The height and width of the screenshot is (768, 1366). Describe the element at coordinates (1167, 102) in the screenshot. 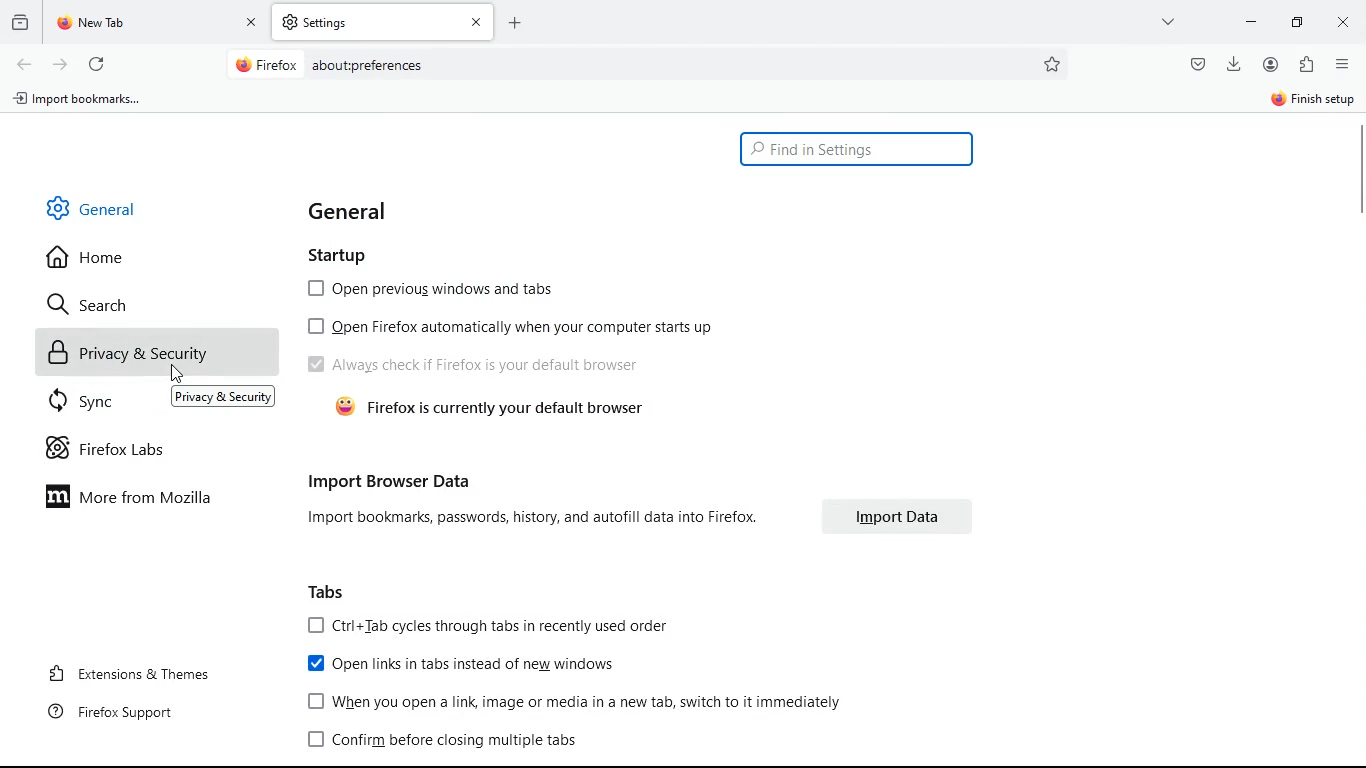

I see `sync and save data` at that location.